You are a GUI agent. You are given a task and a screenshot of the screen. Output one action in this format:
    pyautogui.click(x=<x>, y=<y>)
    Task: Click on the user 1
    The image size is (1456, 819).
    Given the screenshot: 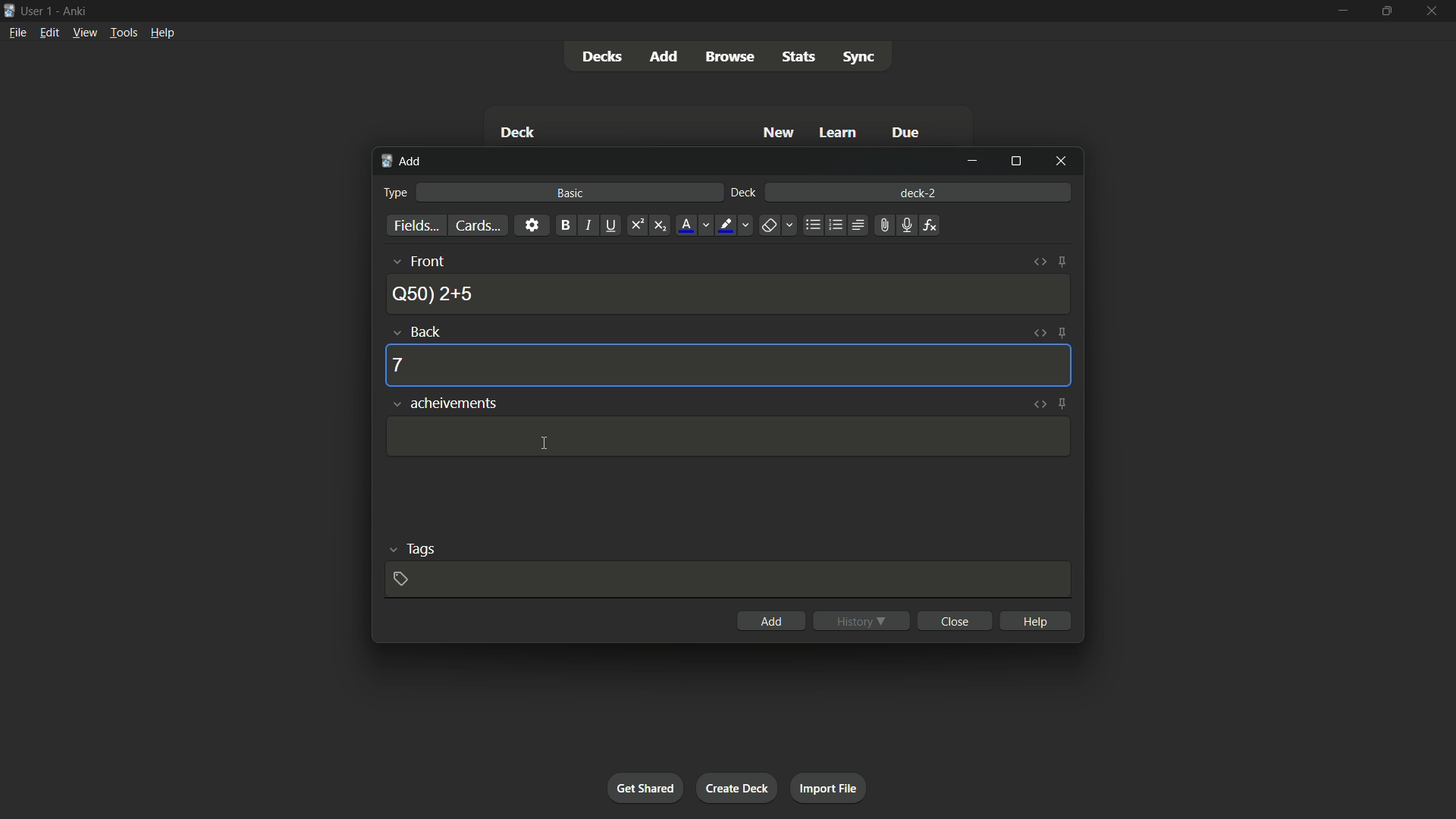 What is the action you would take?
    pyautogui.click(x=38, y=11)
    